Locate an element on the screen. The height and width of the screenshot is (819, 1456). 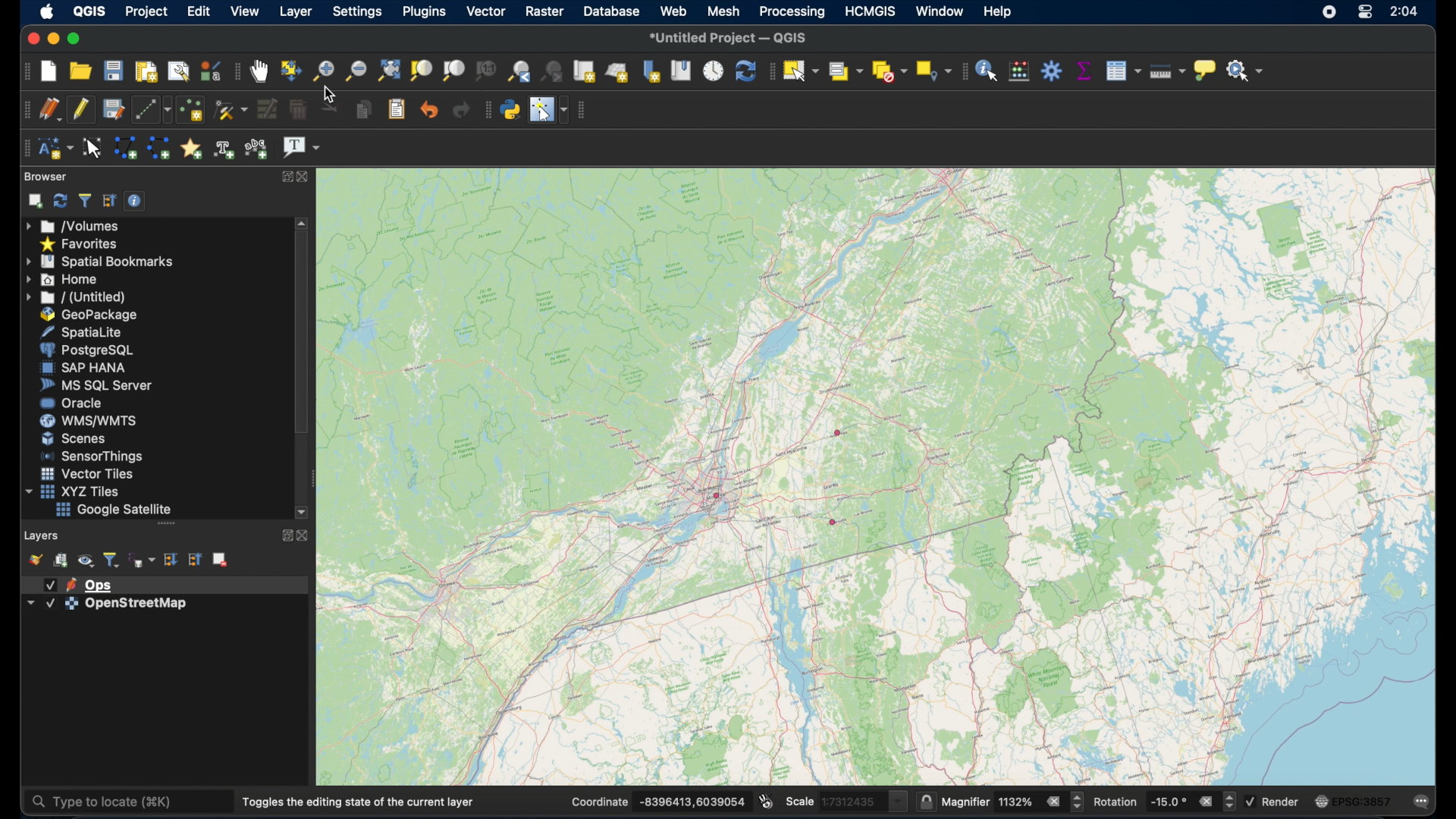
style manager is located at coordinates (210, 71).